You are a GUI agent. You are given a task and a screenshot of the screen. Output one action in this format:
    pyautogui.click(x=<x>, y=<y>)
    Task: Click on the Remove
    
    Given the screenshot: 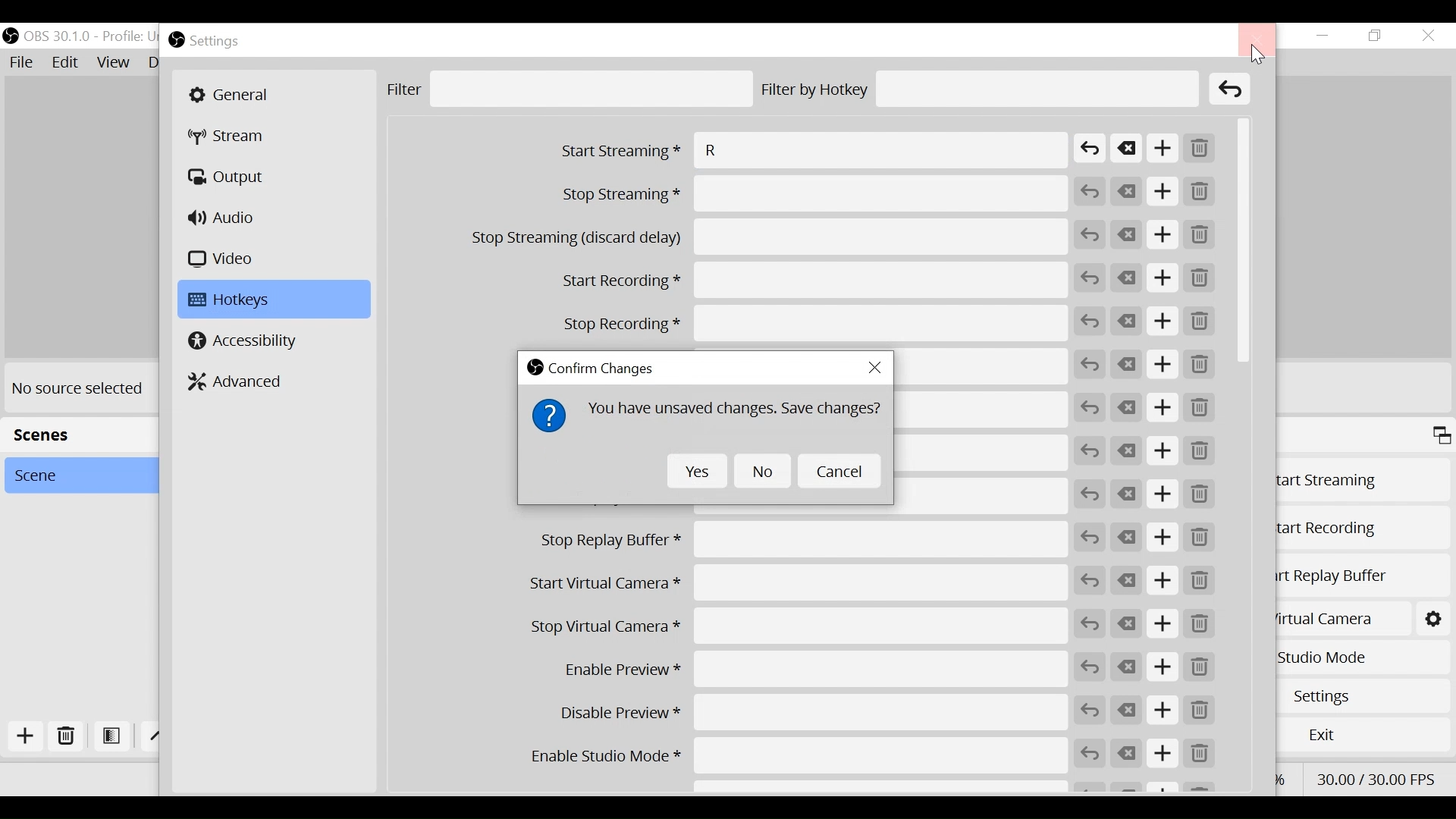 What is the action you would take?
    pyautogui.click(x=1203, y=278)
    